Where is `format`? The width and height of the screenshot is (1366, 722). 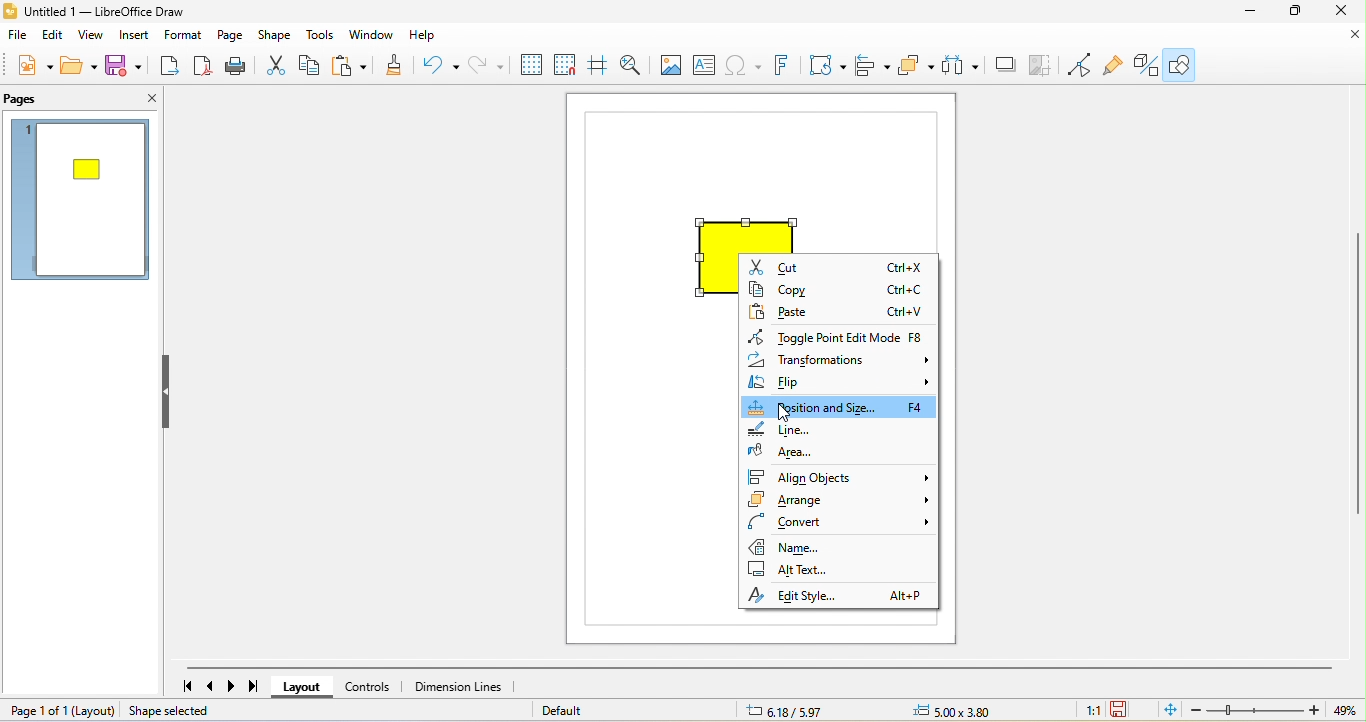 format is located at coordinates (187, 37).